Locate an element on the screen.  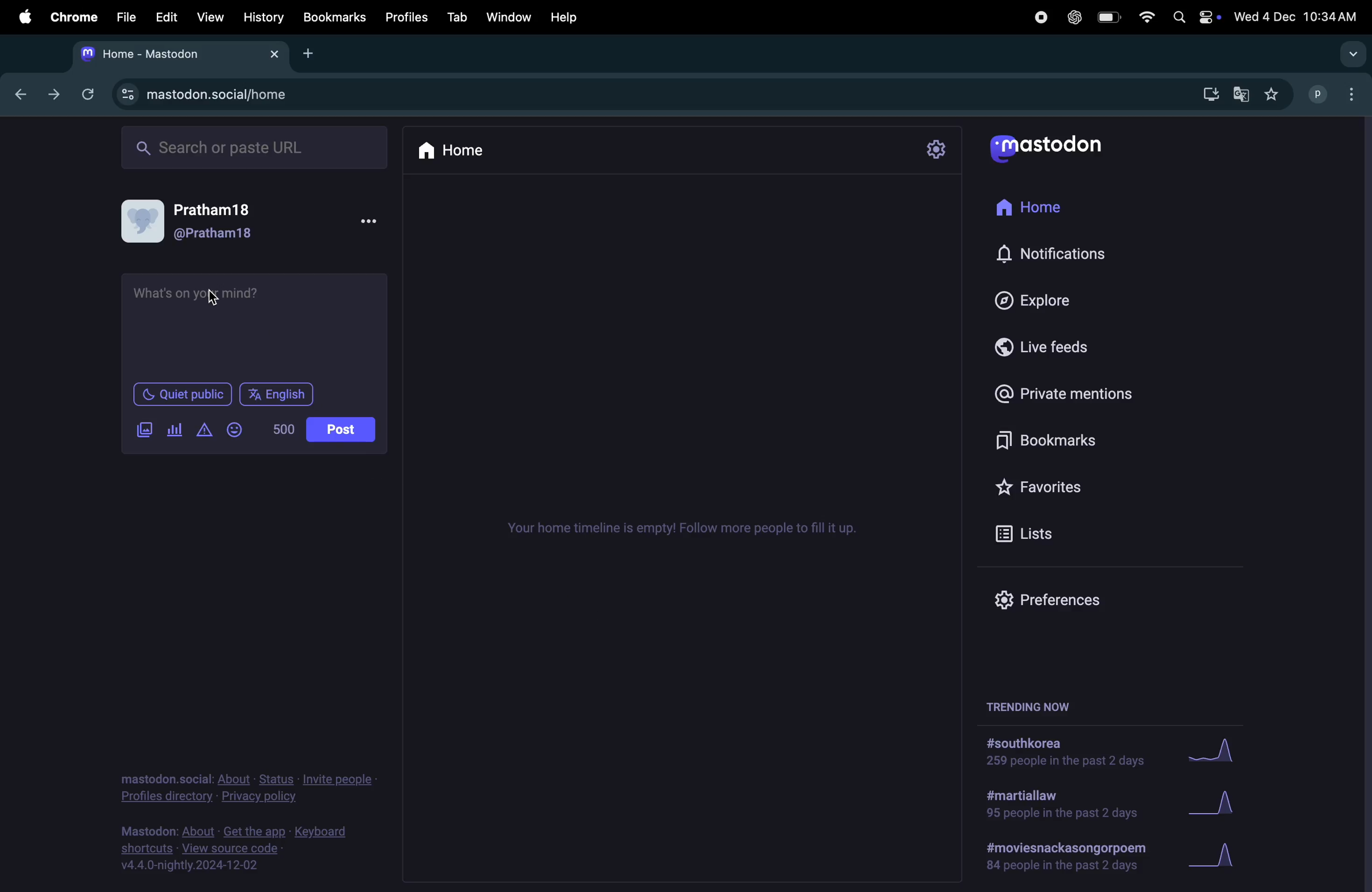
battery is located at coordinates (1111, 18).